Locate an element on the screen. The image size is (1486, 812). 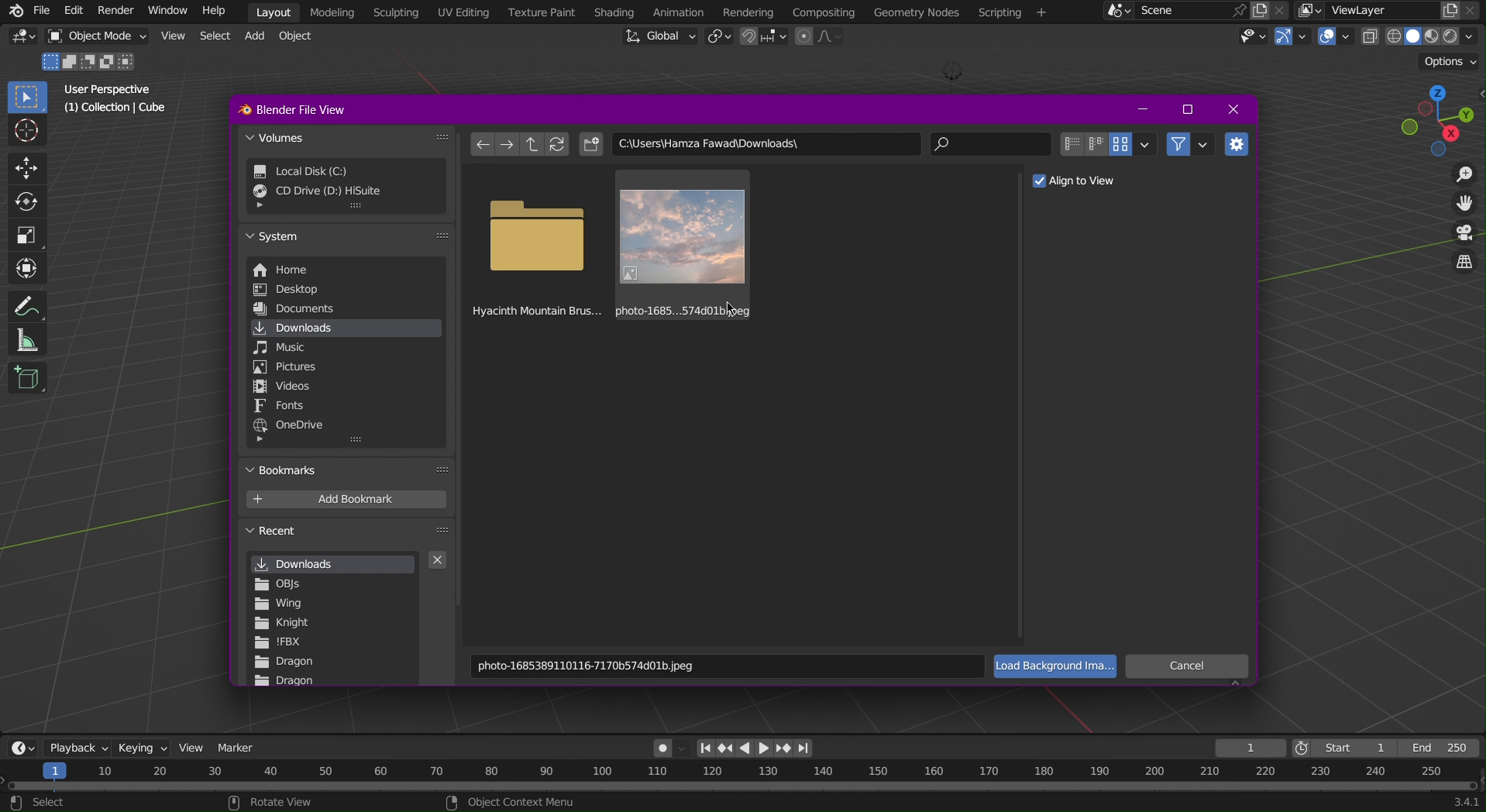
Marker is located at coordinates (242, 746).